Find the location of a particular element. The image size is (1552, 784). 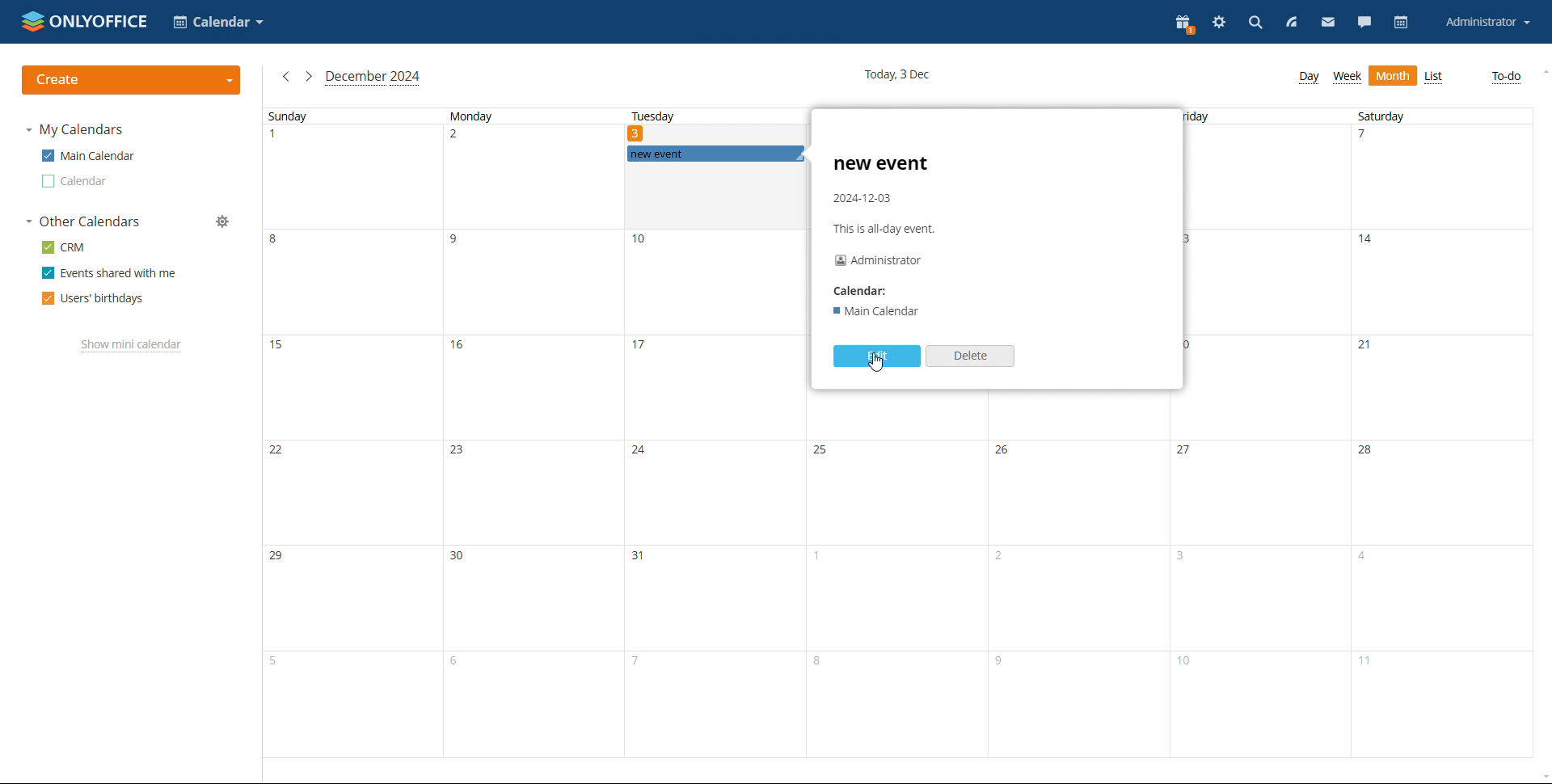

present is located at coordinates (1185, 24).